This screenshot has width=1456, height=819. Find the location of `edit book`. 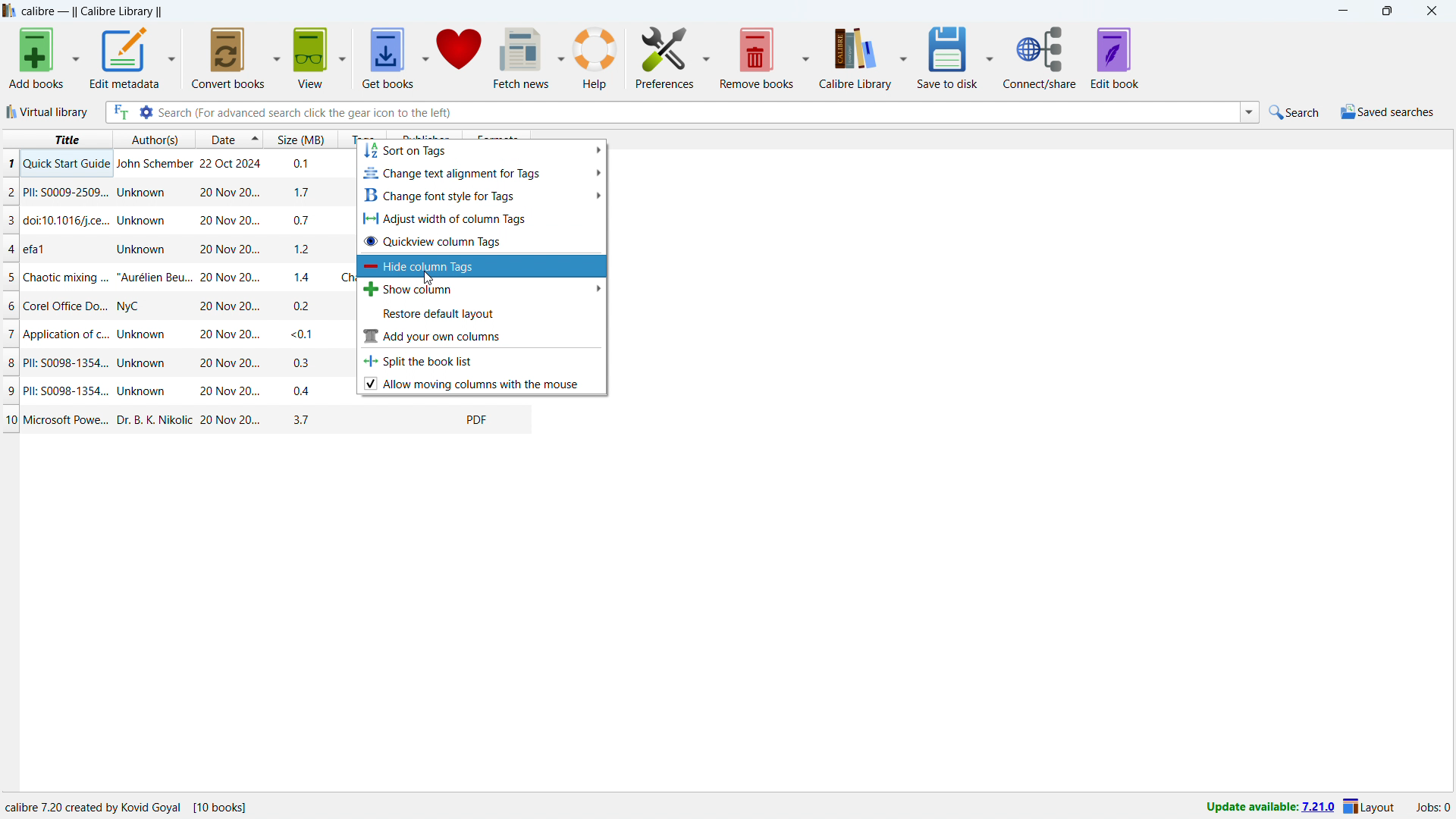

edit book is located at coordinates (1115, 58).